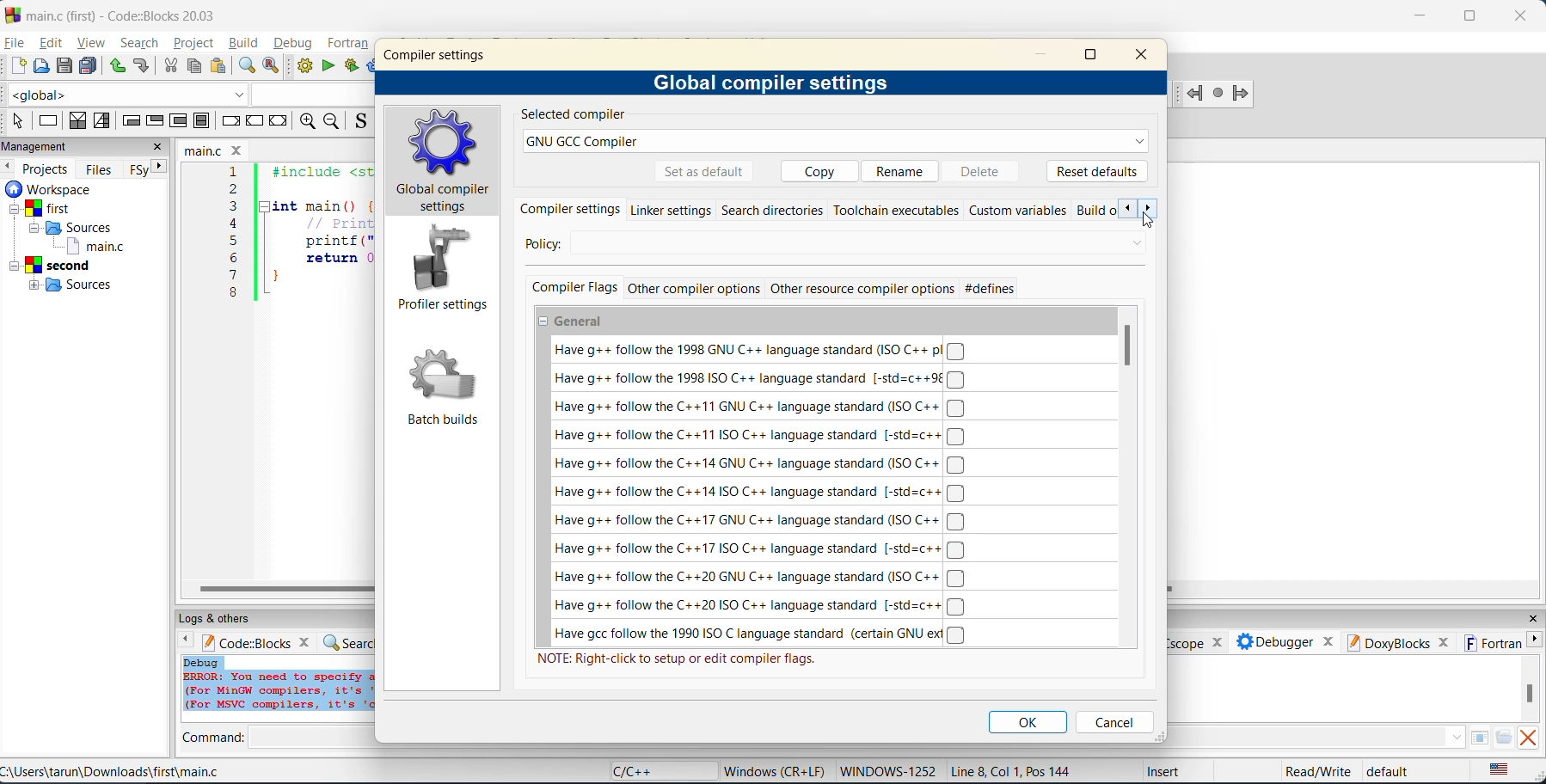 The width and height of the screenshot is (1546, 784). What do you see at coordinates (1242, 95) in the screenshot?
I see `jump forward` at bounding box center [1242, 95].